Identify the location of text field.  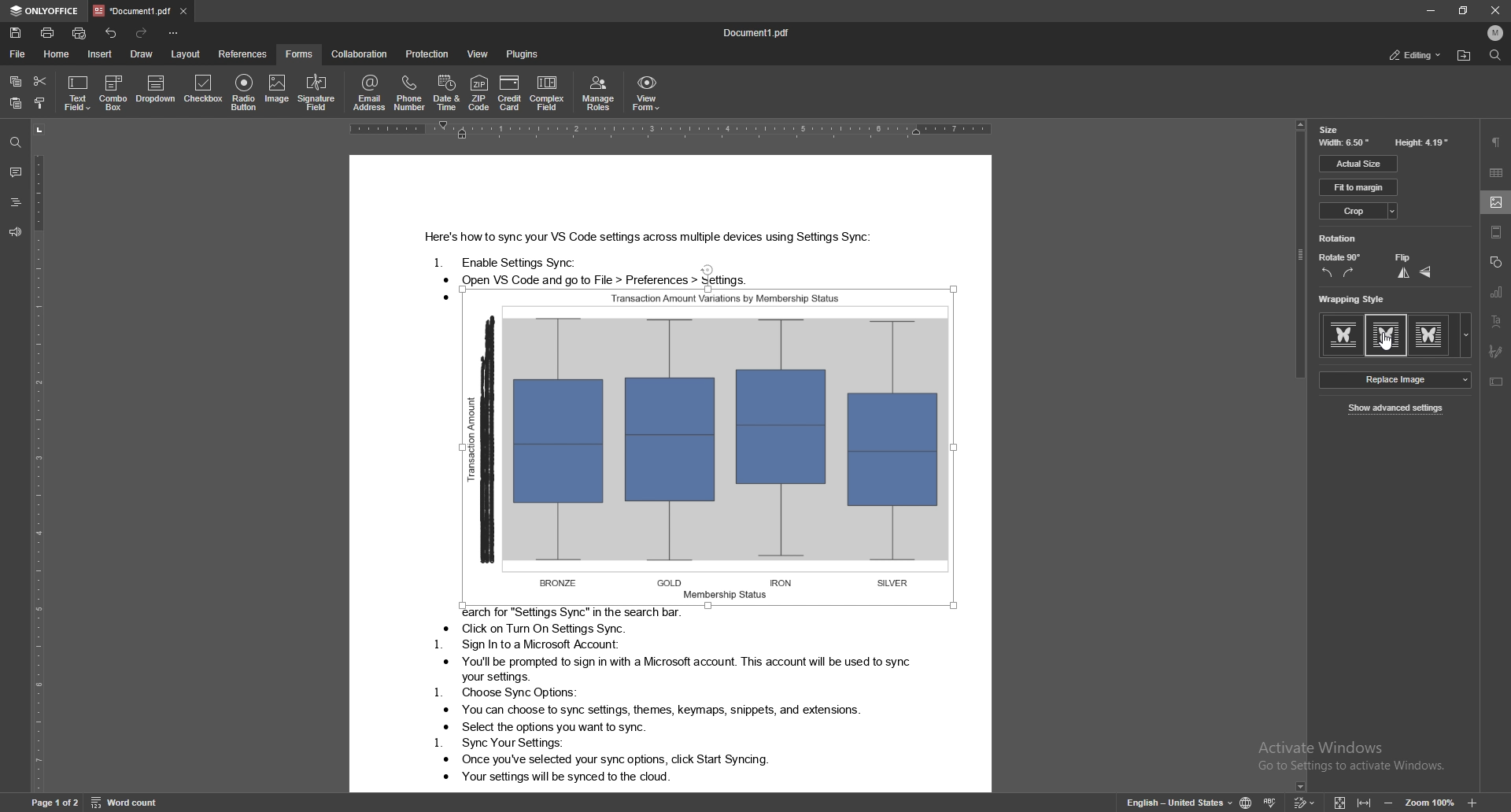
(78, 93).